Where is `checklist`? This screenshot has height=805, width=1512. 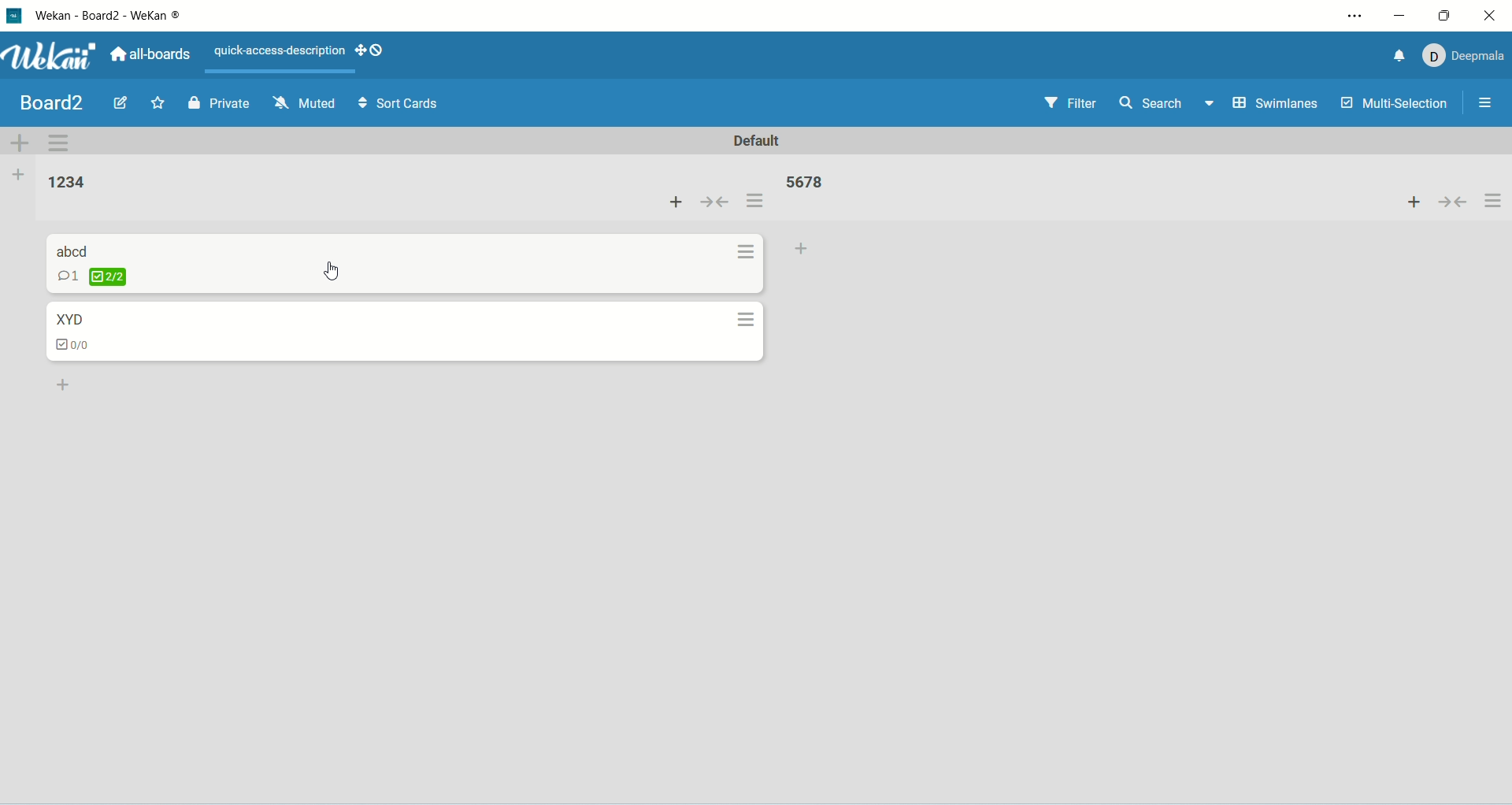
checklist is located at coordinates (80, 347).